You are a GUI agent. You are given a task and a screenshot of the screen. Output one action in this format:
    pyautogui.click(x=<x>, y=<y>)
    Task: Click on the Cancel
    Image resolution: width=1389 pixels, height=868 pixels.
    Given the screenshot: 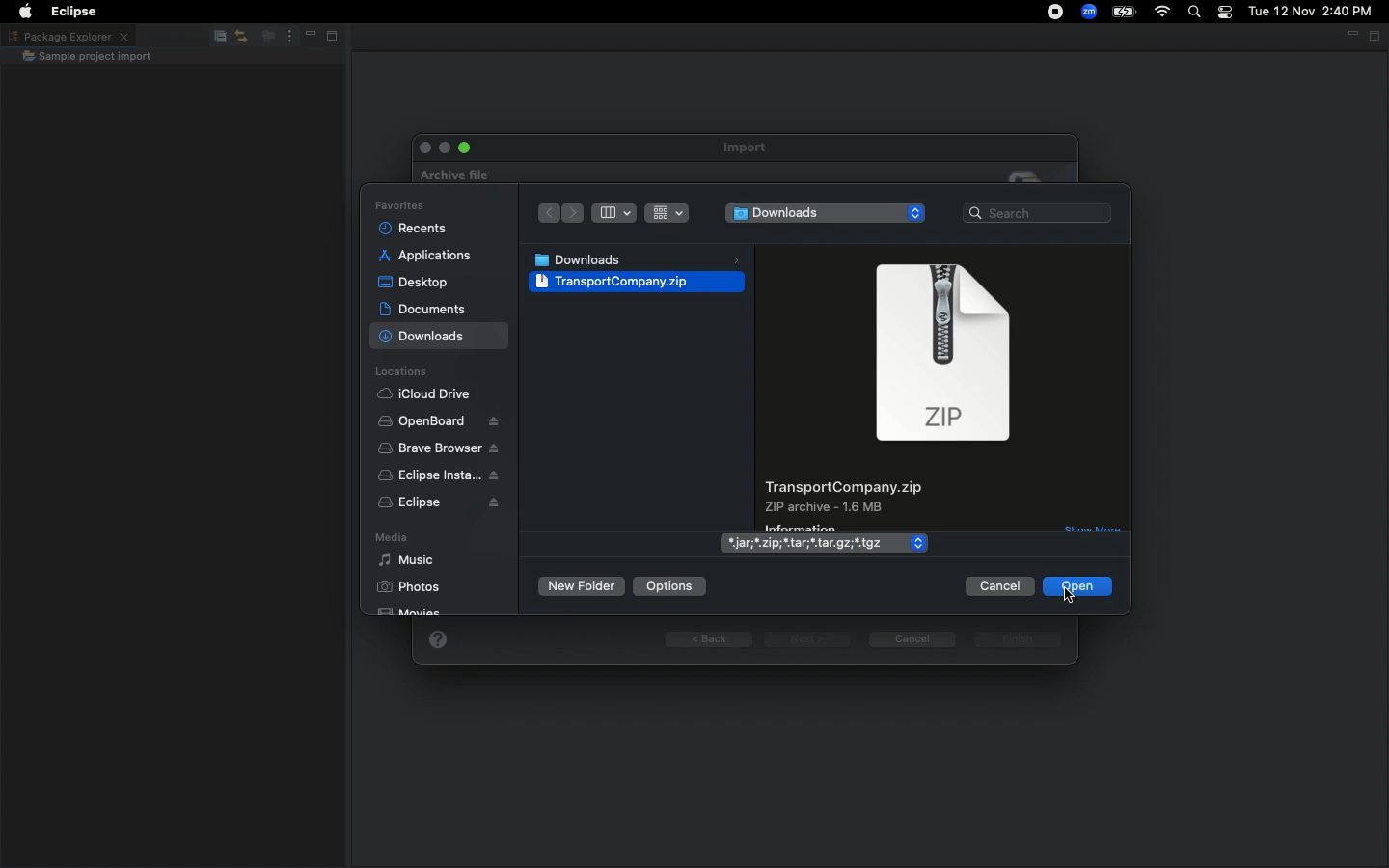 What is the action you would take?
    pyautogui.click(x=999, y=586)
    